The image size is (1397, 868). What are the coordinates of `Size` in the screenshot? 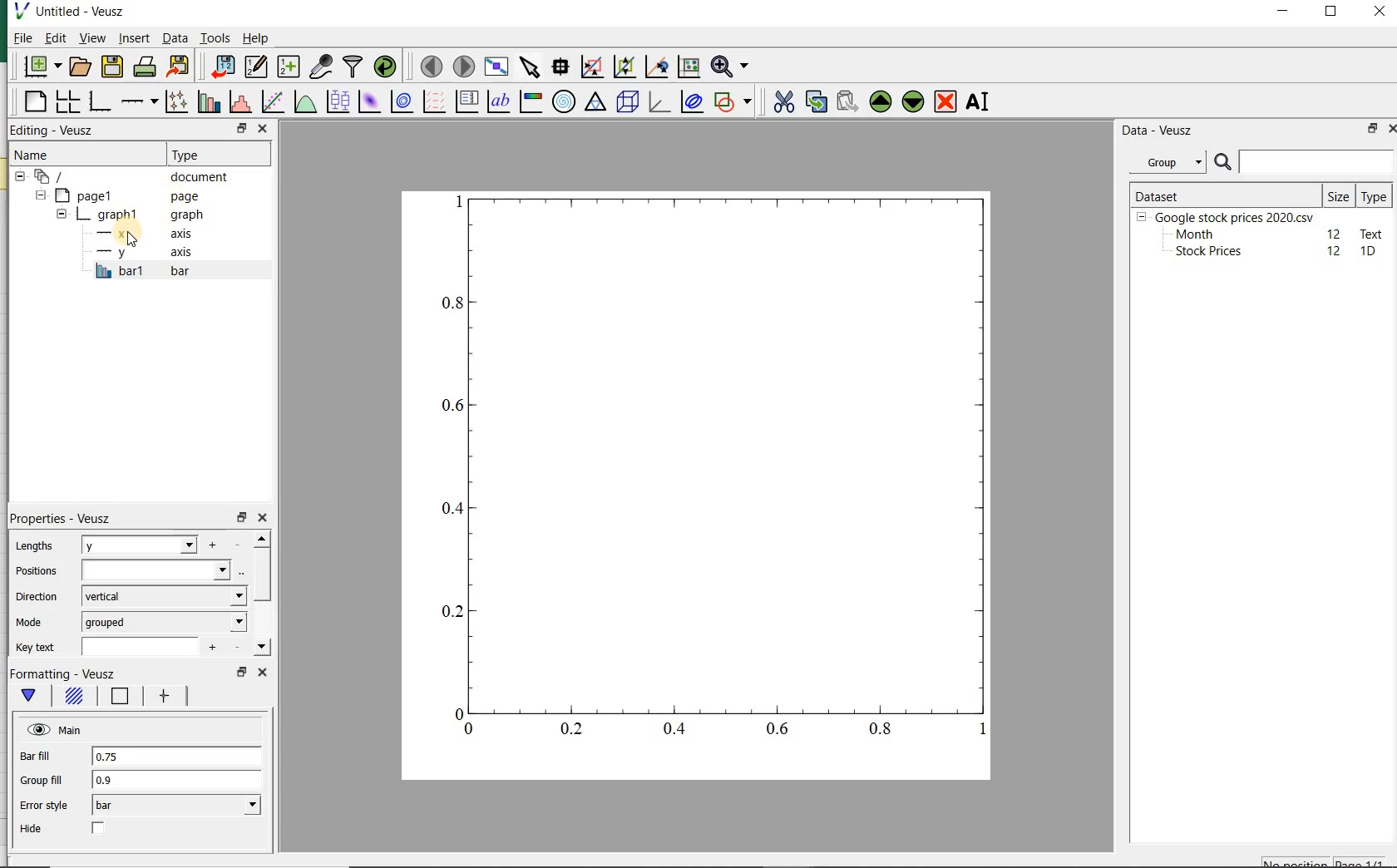 It's located at (1339, 195).